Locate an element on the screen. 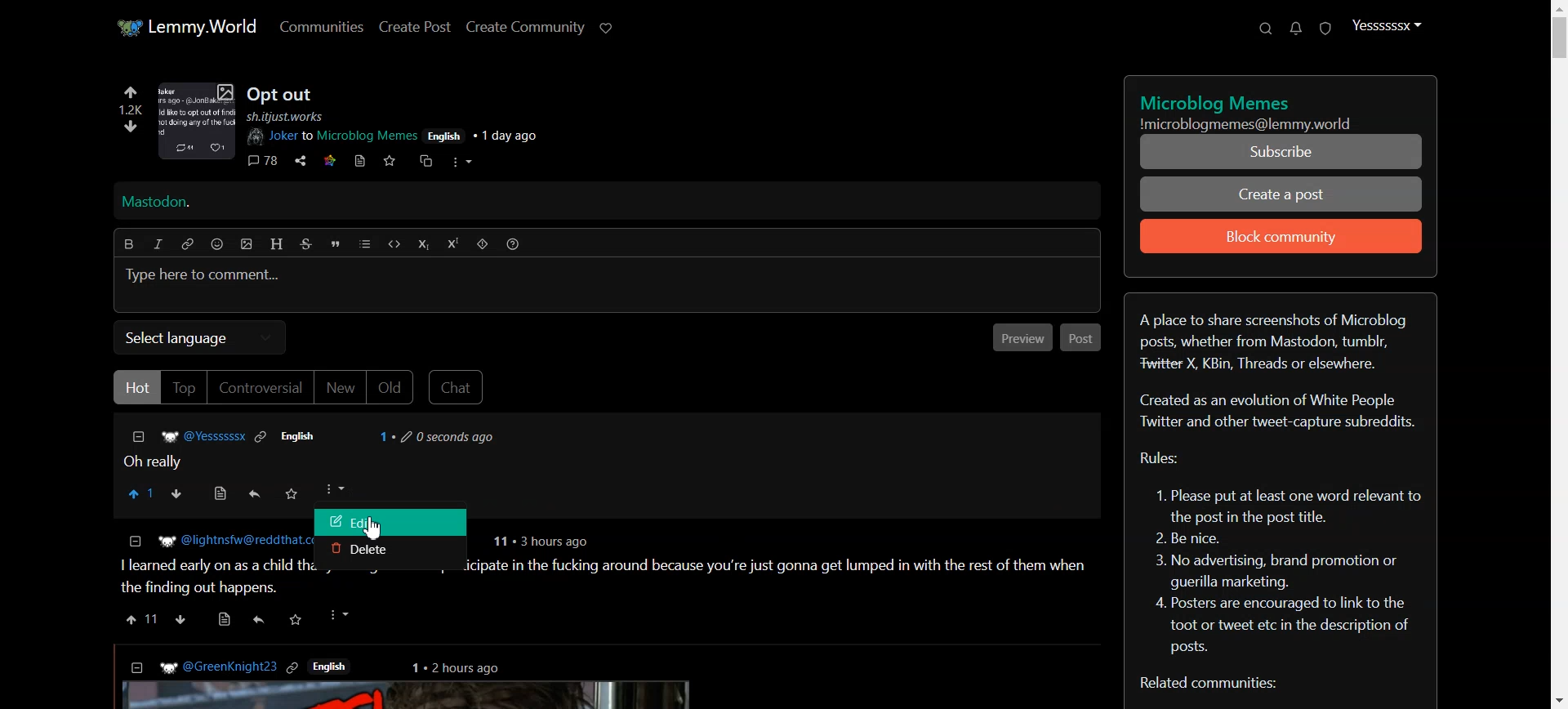 The image size is (1568, 709). Unread message is located at coordinates (1295, 29).